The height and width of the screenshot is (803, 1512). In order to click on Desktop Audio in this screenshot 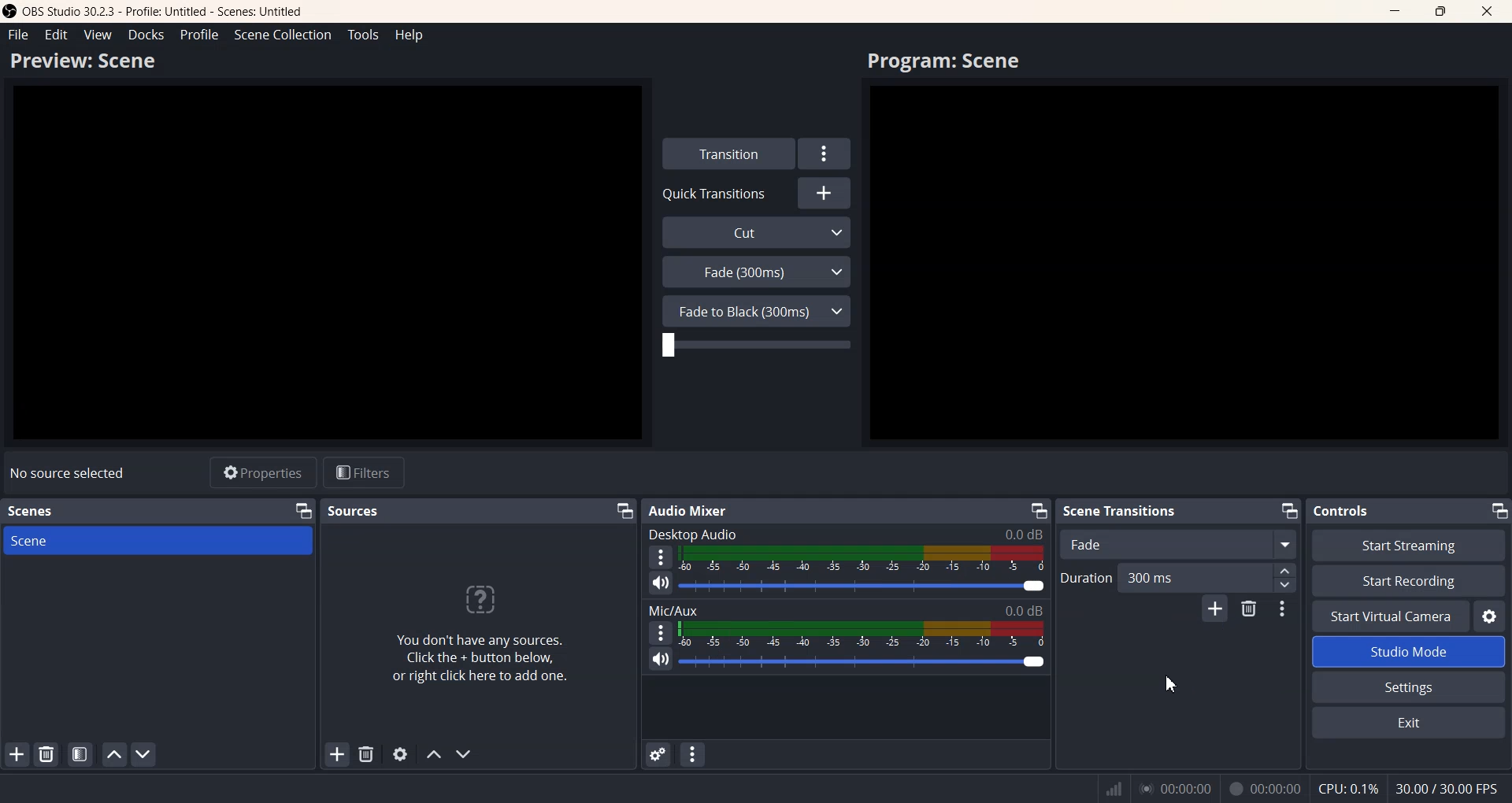, I will do `click(844, 534)`.